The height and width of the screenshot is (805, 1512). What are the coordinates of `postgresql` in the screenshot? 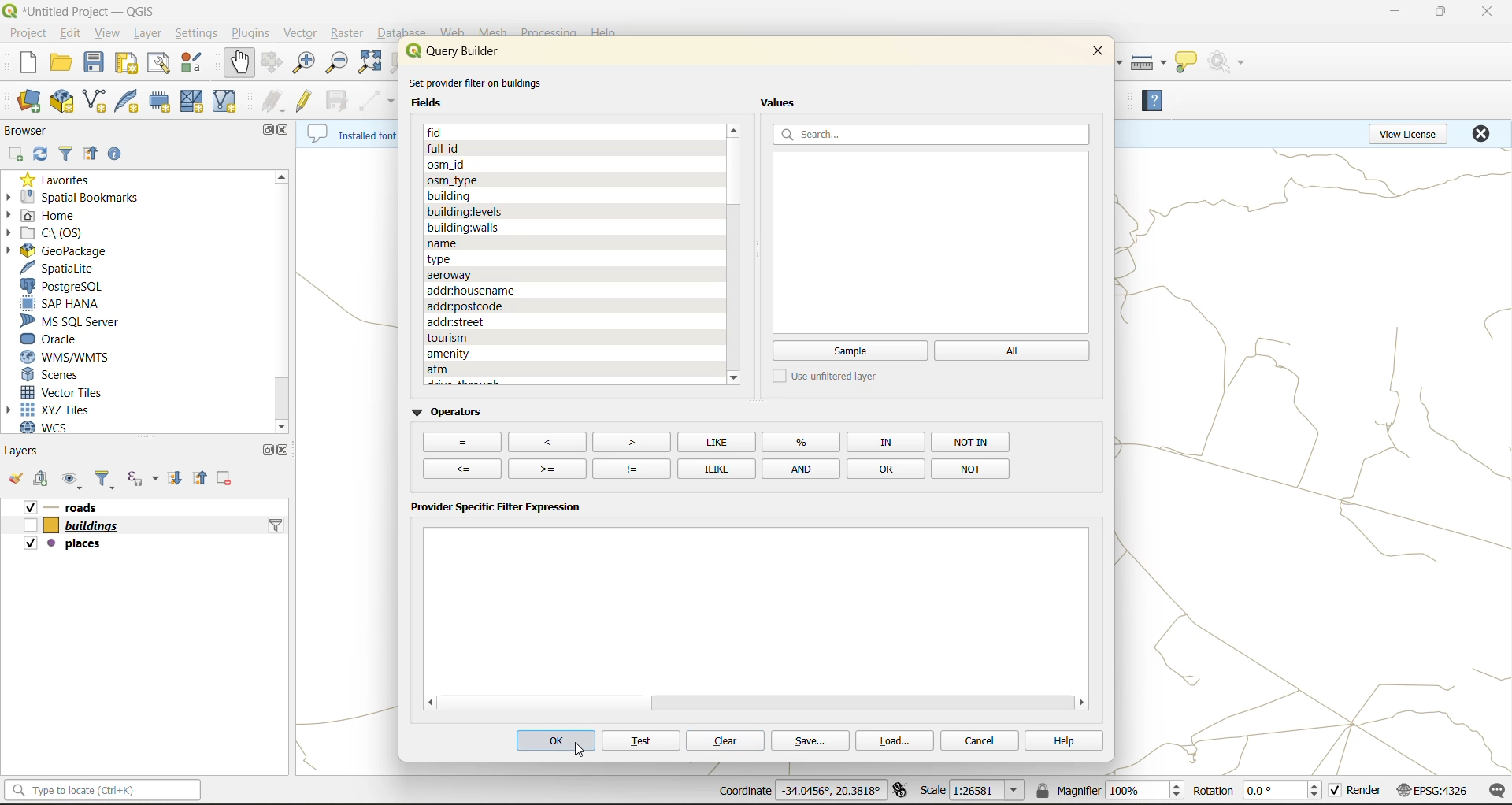 It's located at (67, 286).